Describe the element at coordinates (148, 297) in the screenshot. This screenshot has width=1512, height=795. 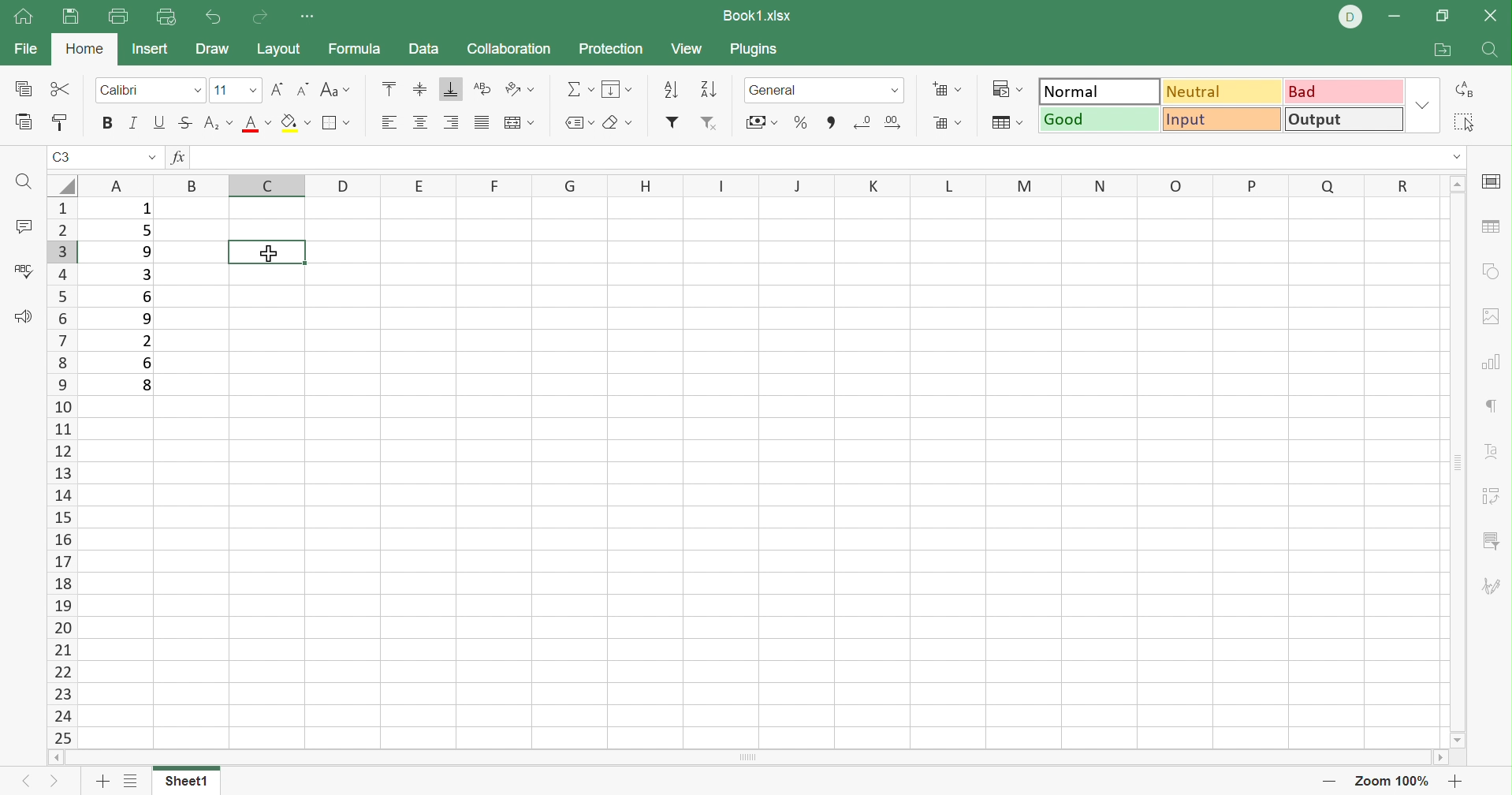
I see `6` at that location.